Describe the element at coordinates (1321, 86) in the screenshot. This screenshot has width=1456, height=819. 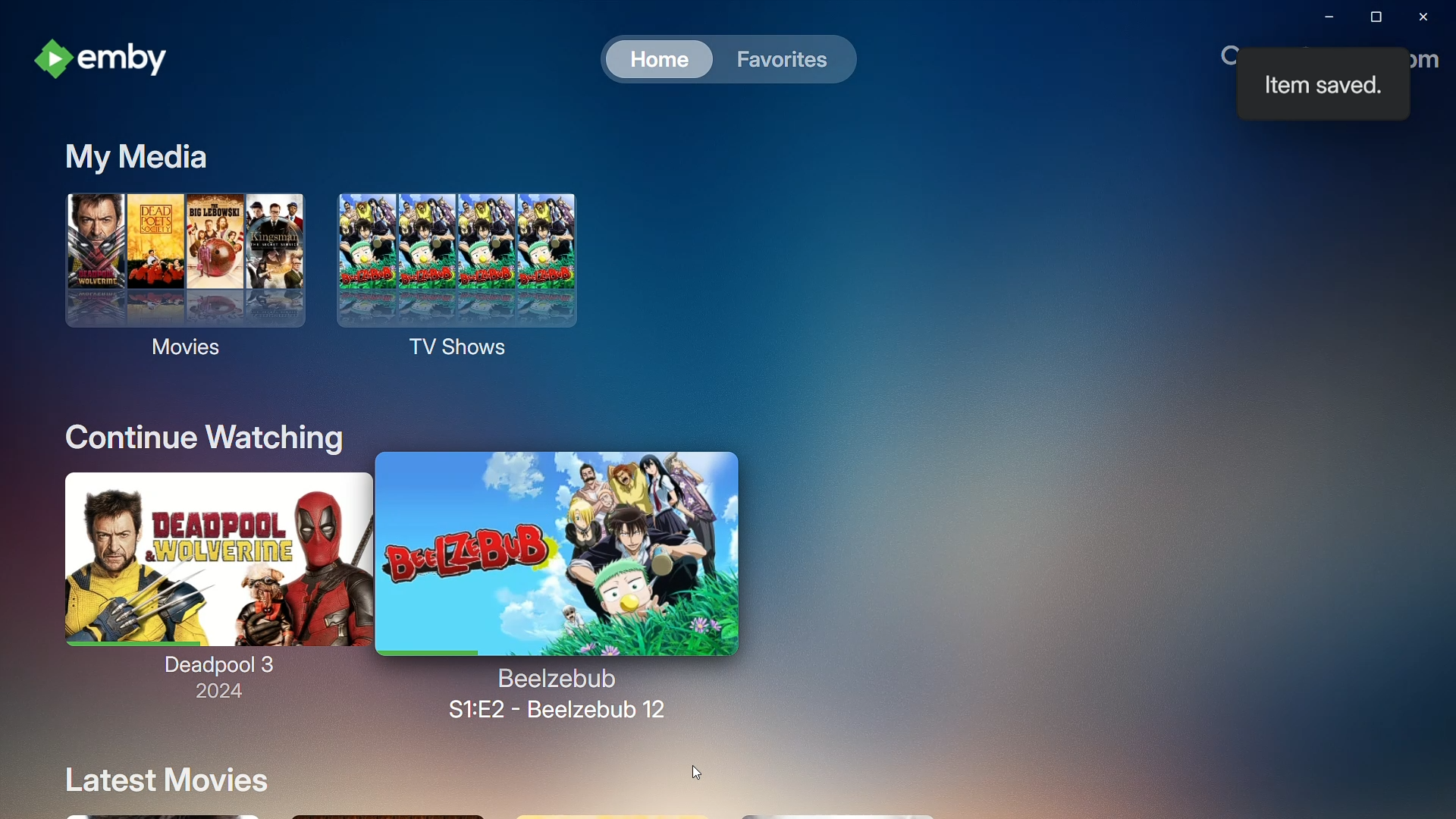
I see `Item saved` at that location.